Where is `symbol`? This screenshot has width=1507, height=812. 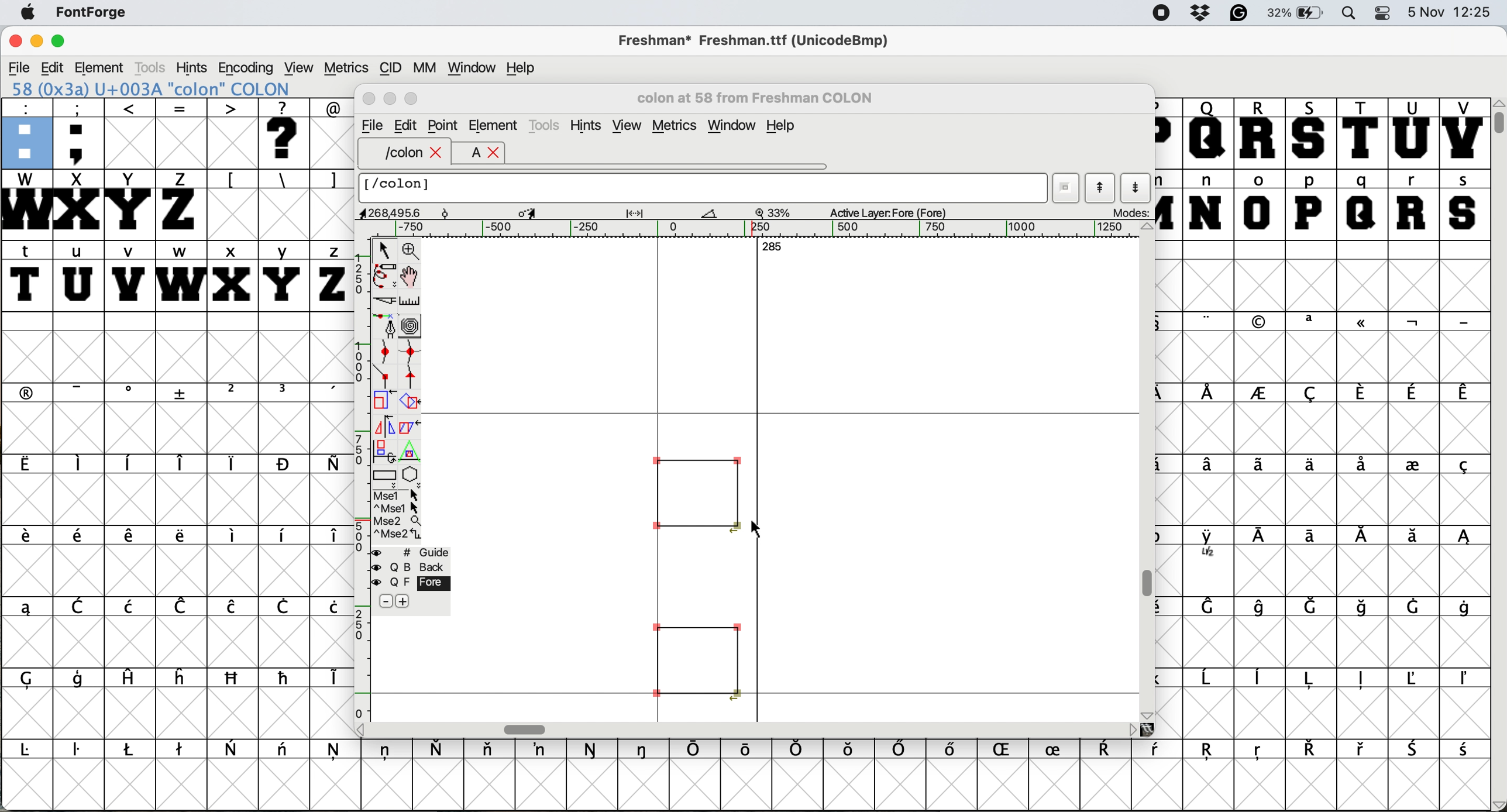
symbol is located at coordinates (902, 750).